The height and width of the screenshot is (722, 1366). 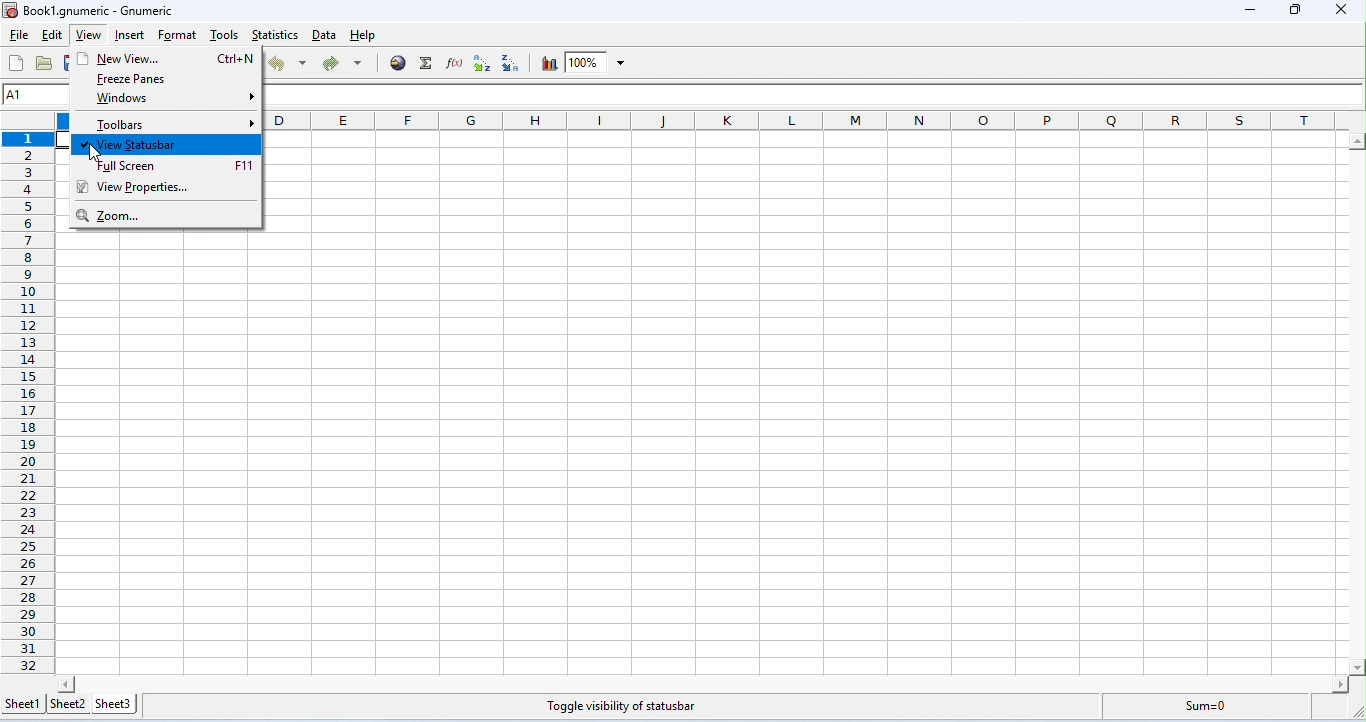 I want to click on file, so click(x=19, y=36).